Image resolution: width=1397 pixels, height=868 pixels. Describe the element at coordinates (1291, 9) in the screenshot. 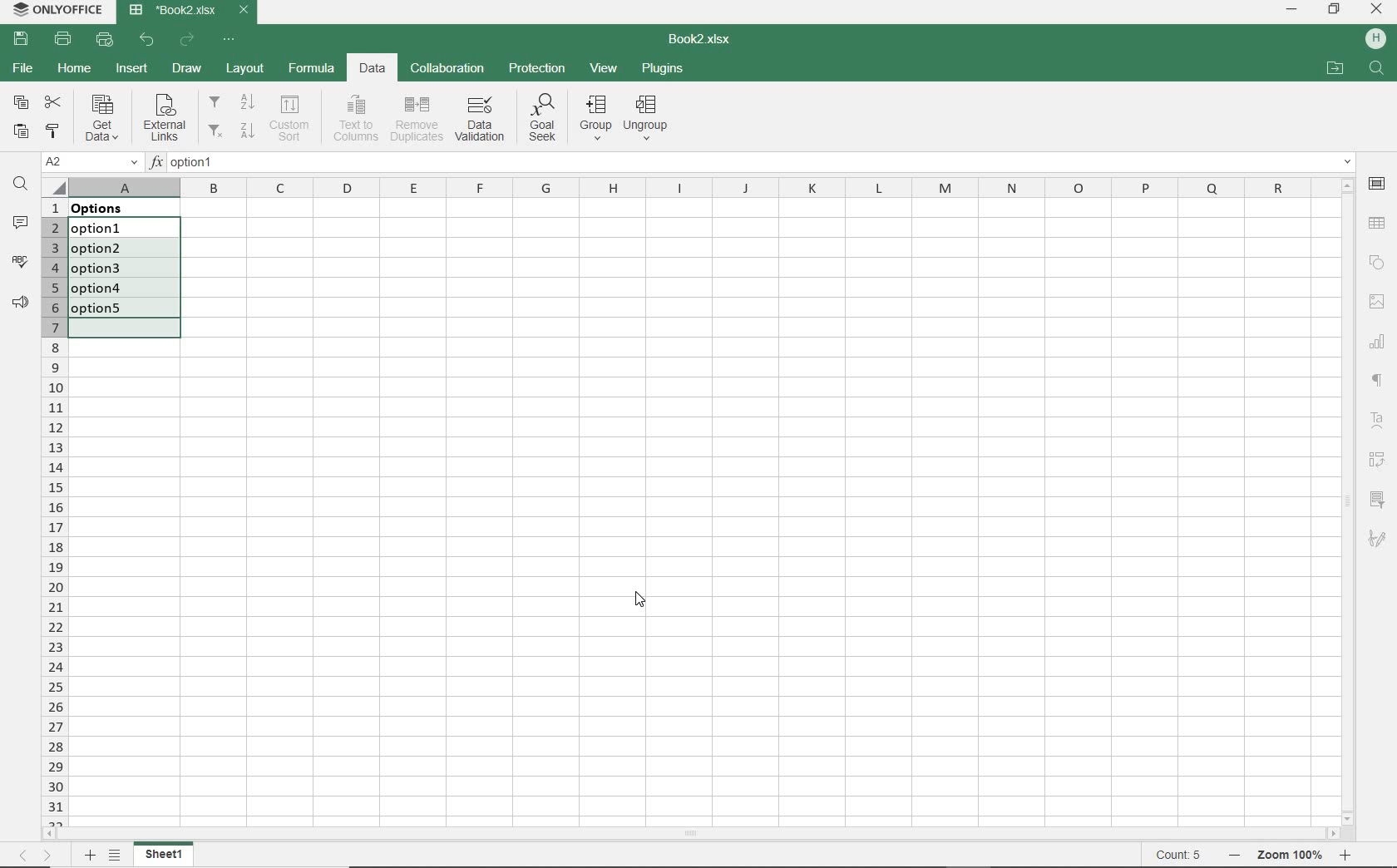

I see `MINIMIZE` at that location.